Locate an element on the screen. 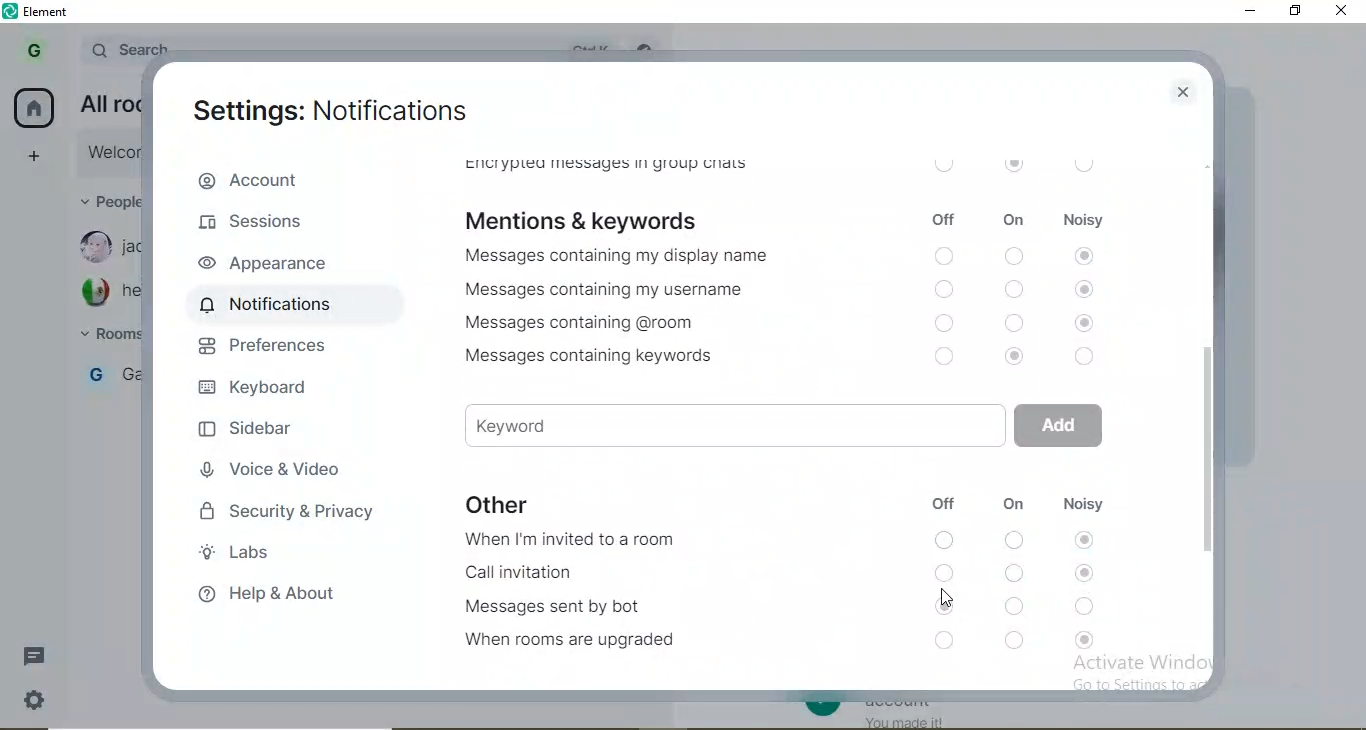 The image size is (1366, 730). labs is located at coordinates (296, 556).